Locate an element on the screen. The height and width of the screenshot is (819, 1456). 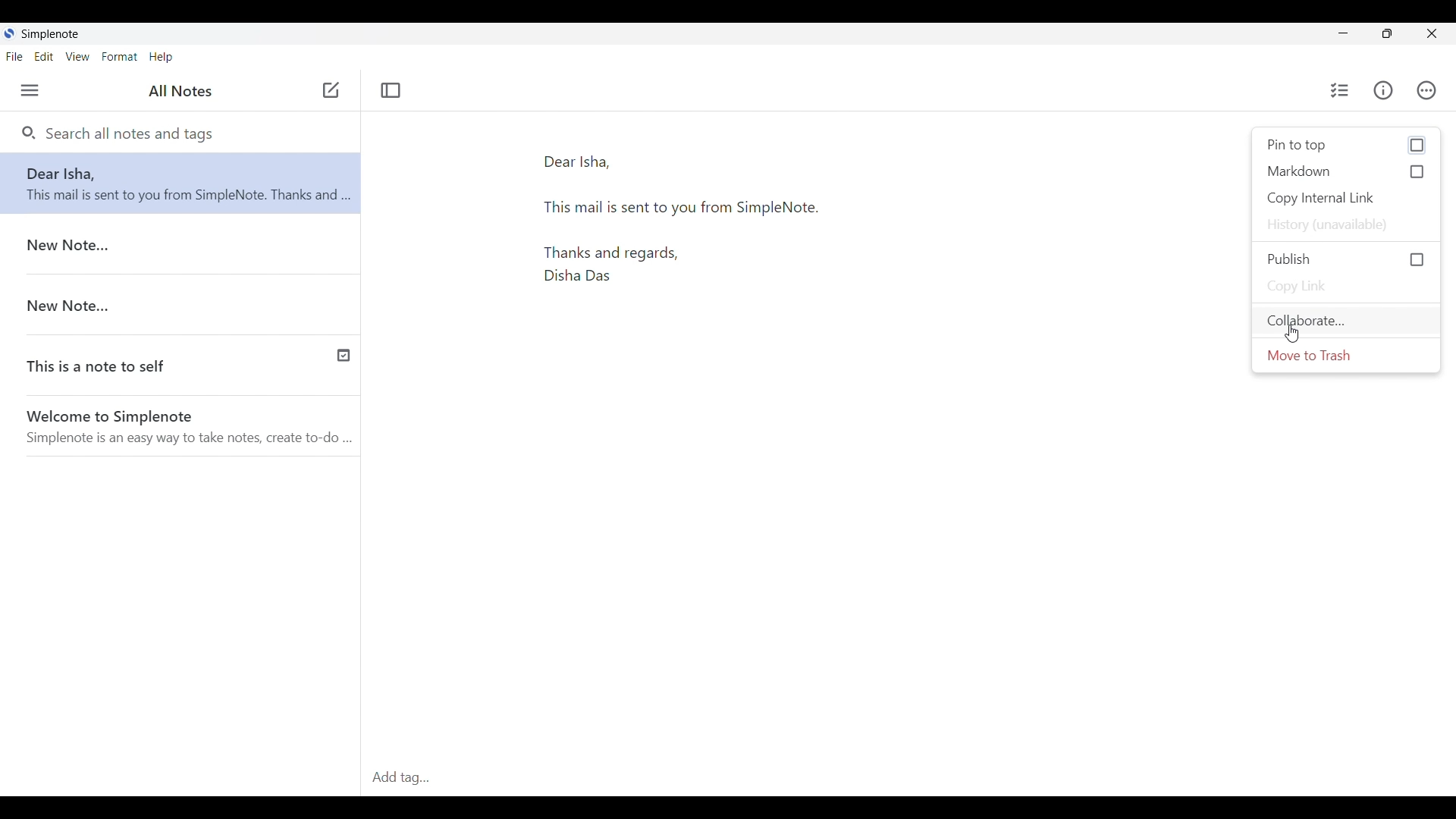
Maximize is located at coordinates (1387, 33).